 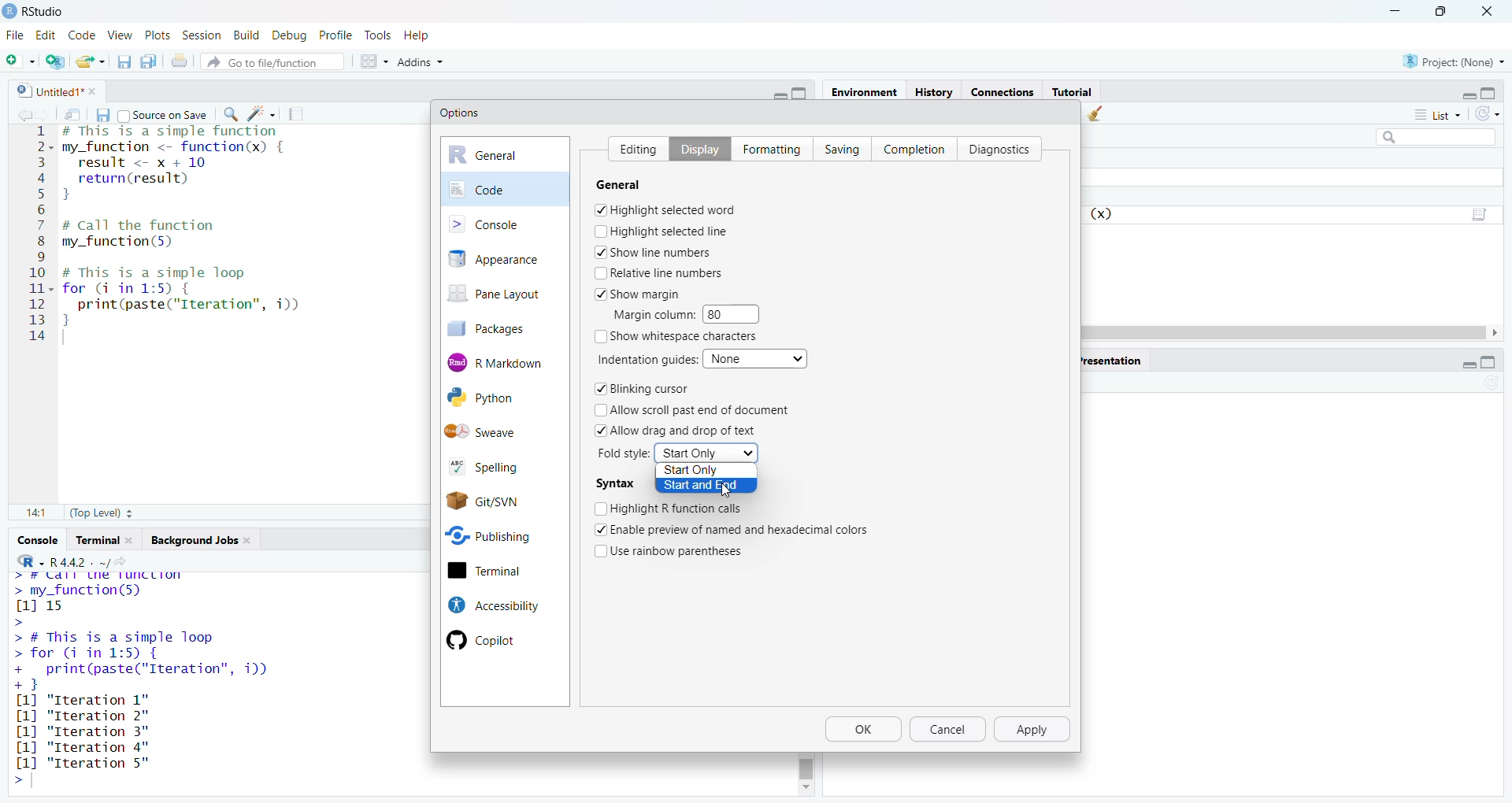 What do you see at coordinates (380, 35) in the screenshot?
I see `tools` at bounding box center [380, 35].